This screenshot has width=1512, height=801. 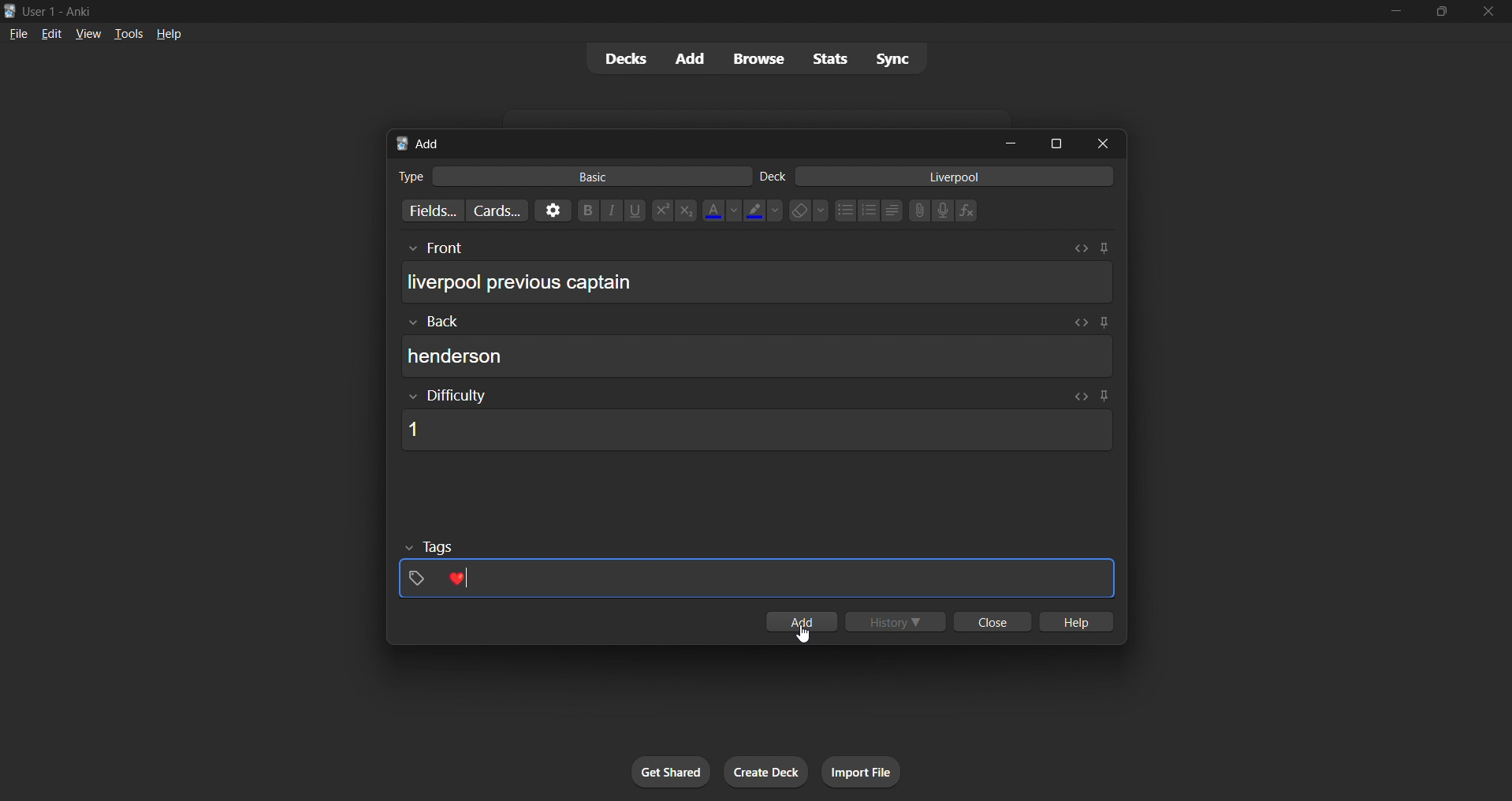 What do you see at coordinates (15, 33) in the screenshot?
I see `file` at bounding box center [15, 33].